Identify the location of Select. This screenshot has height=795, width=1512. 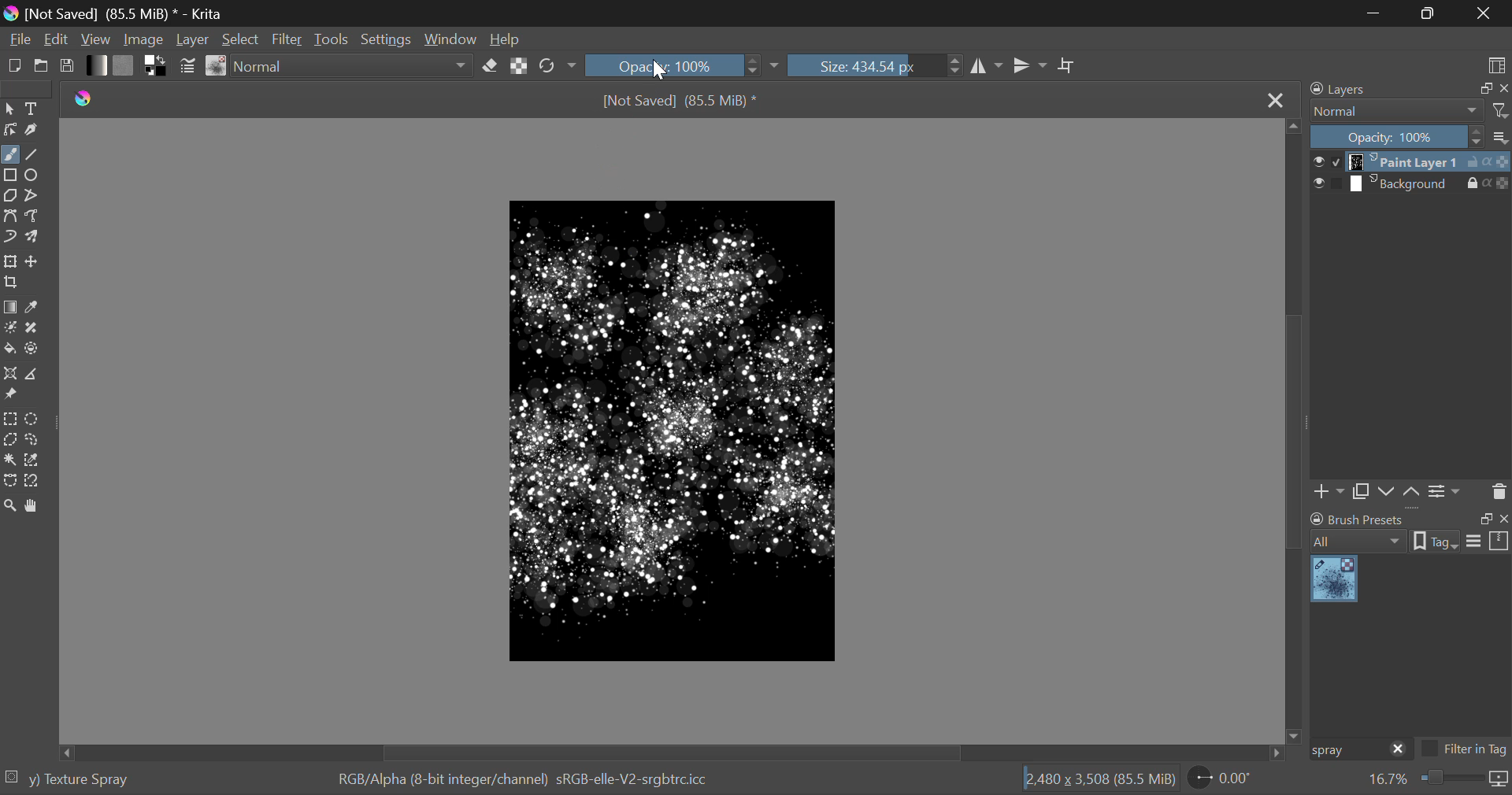
(241, 39).